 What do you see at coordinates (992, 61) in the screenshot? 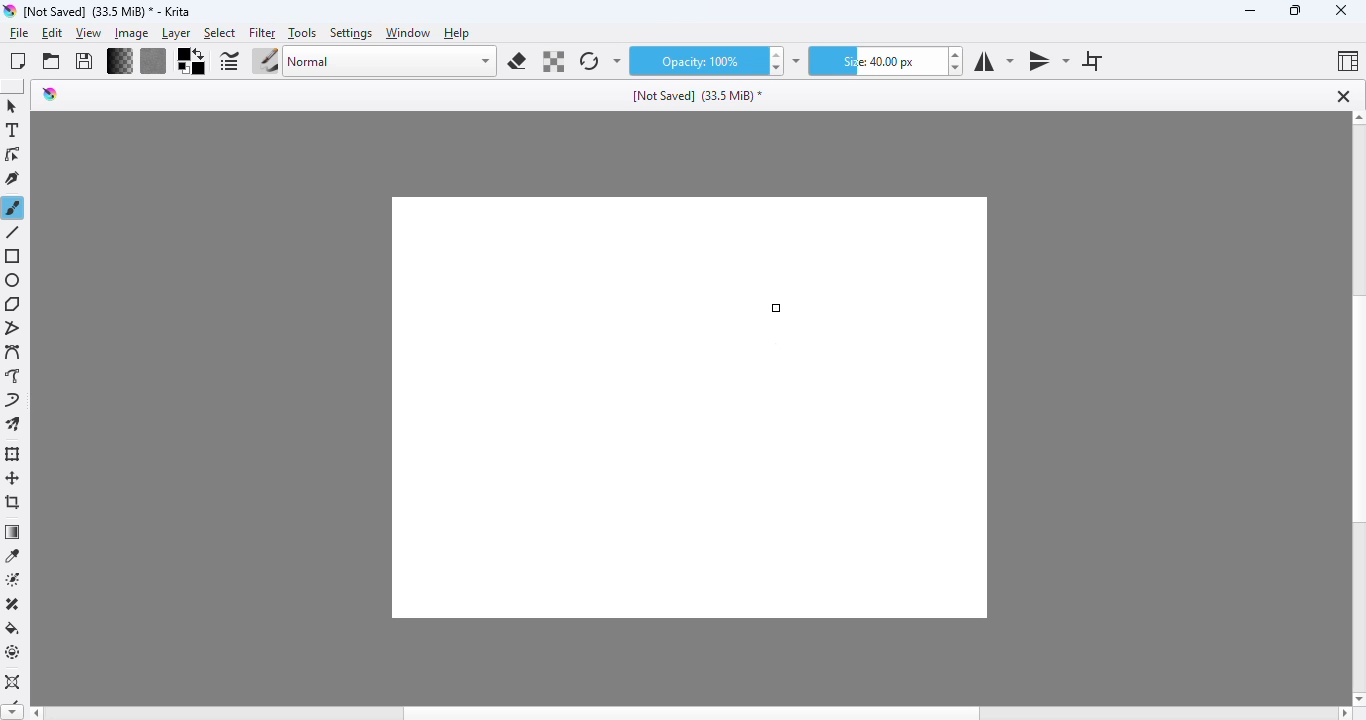
I see `horizontal mirror tool` at bounding box center [992, 61].